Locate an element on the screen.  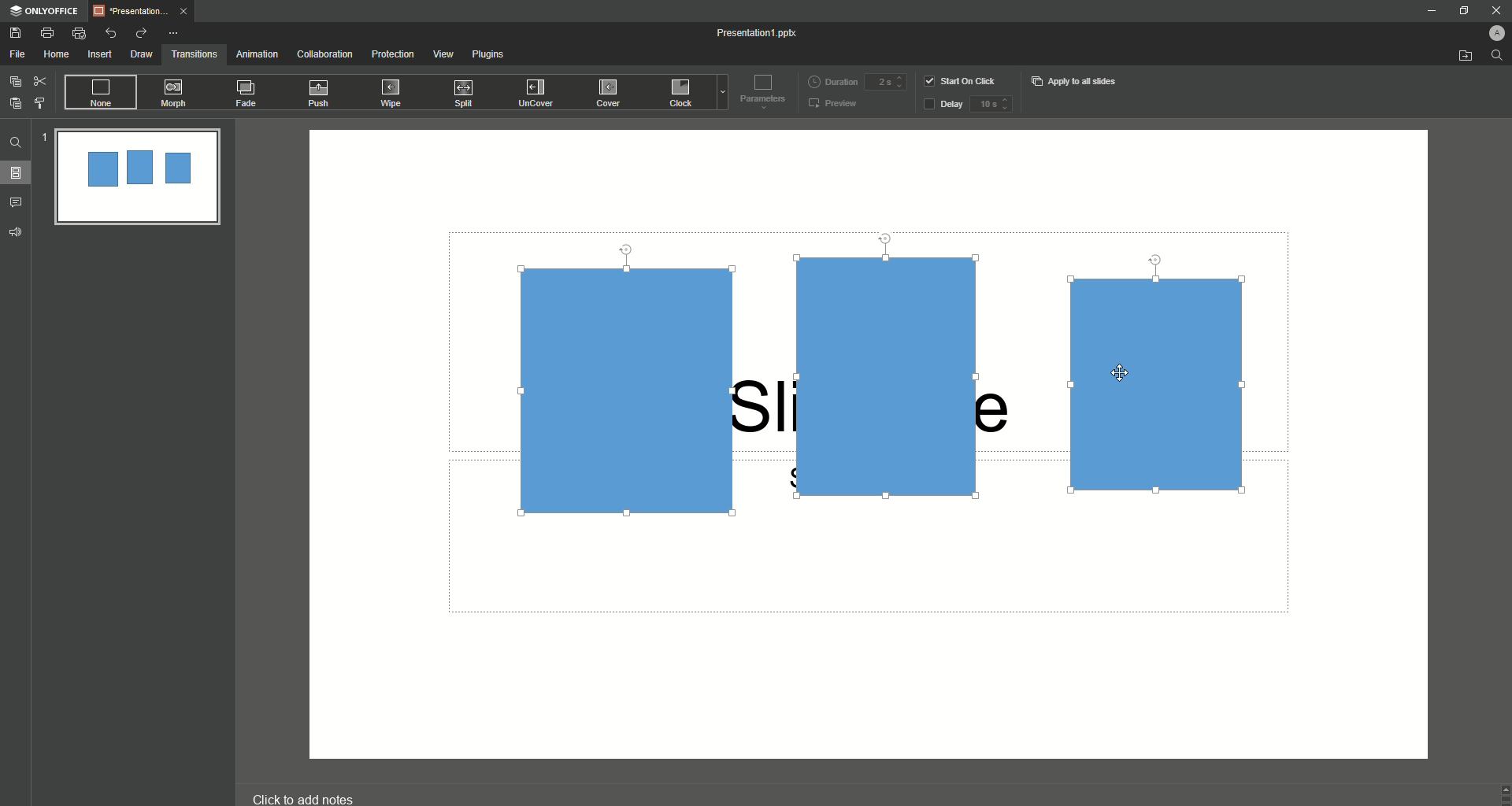
ONLYOFFICE is located at coordinates (44, 11).